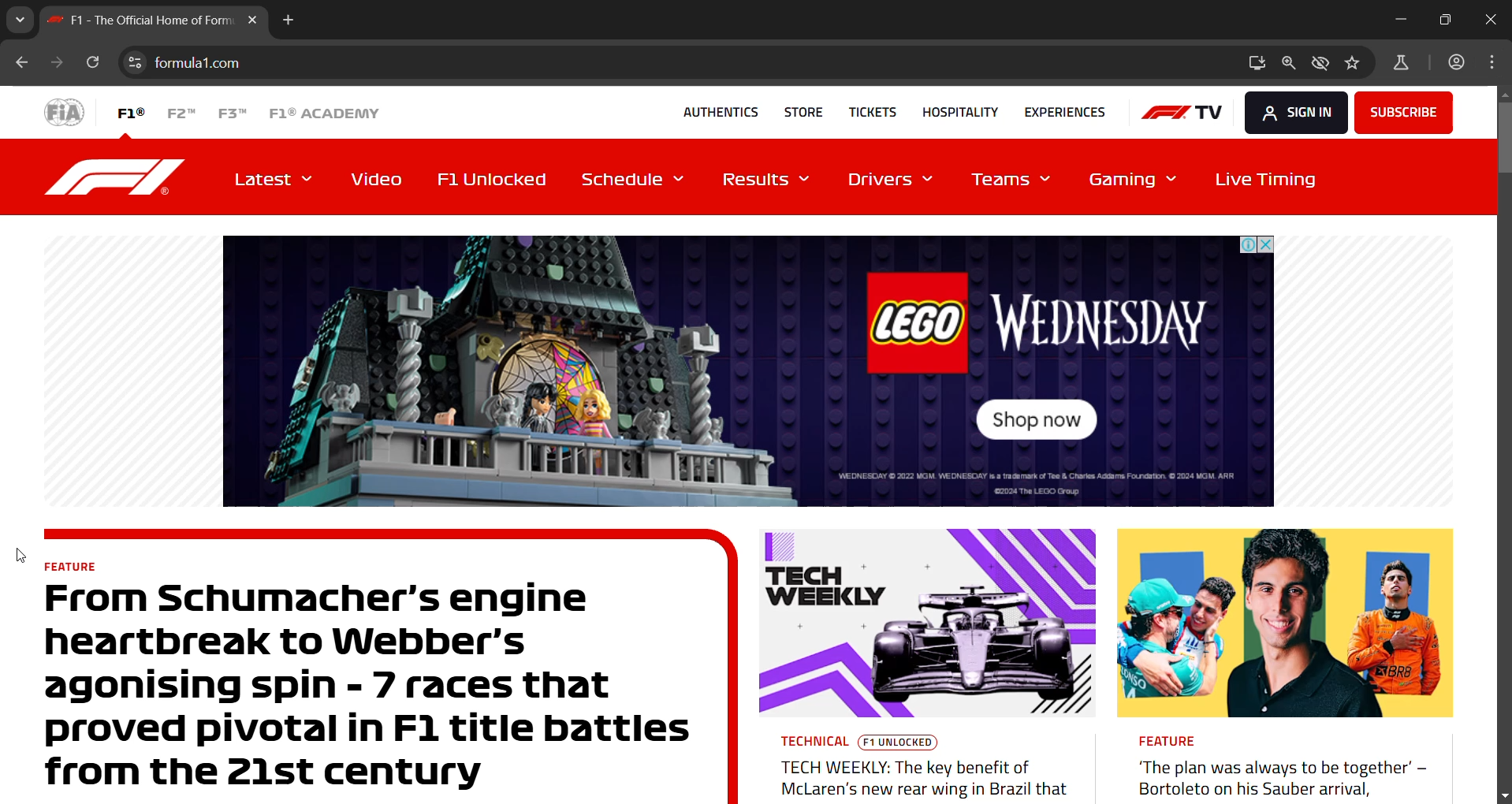  Describe the element at coordinates (720, 111) in the screenshot. I see `AUTHENTICS` at that location.